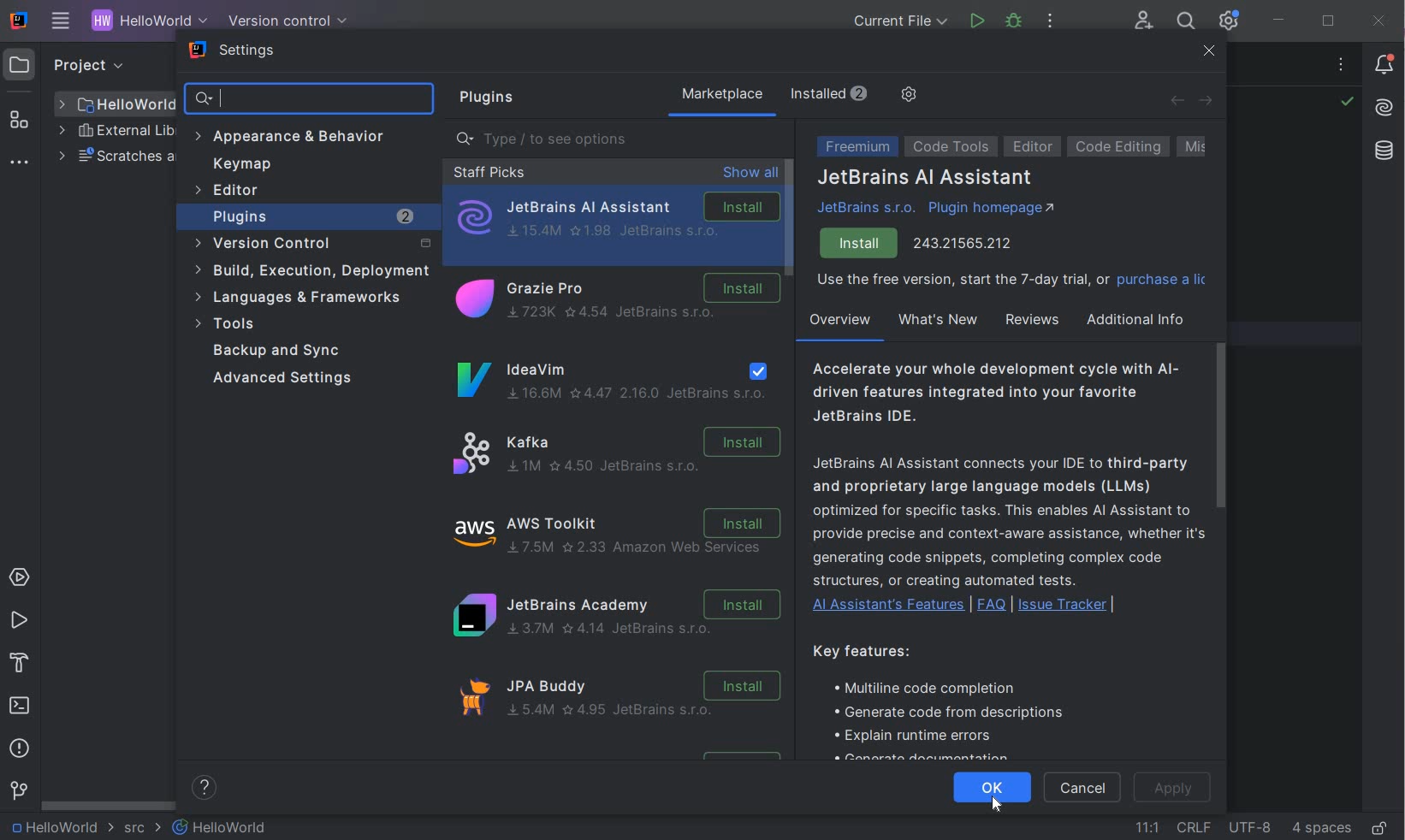 The width and height of the screenshot is (1405, 840). Describe the element at coordinates (1346, 104) in the screenshot. I see `NO PROBLEMS` at that location.